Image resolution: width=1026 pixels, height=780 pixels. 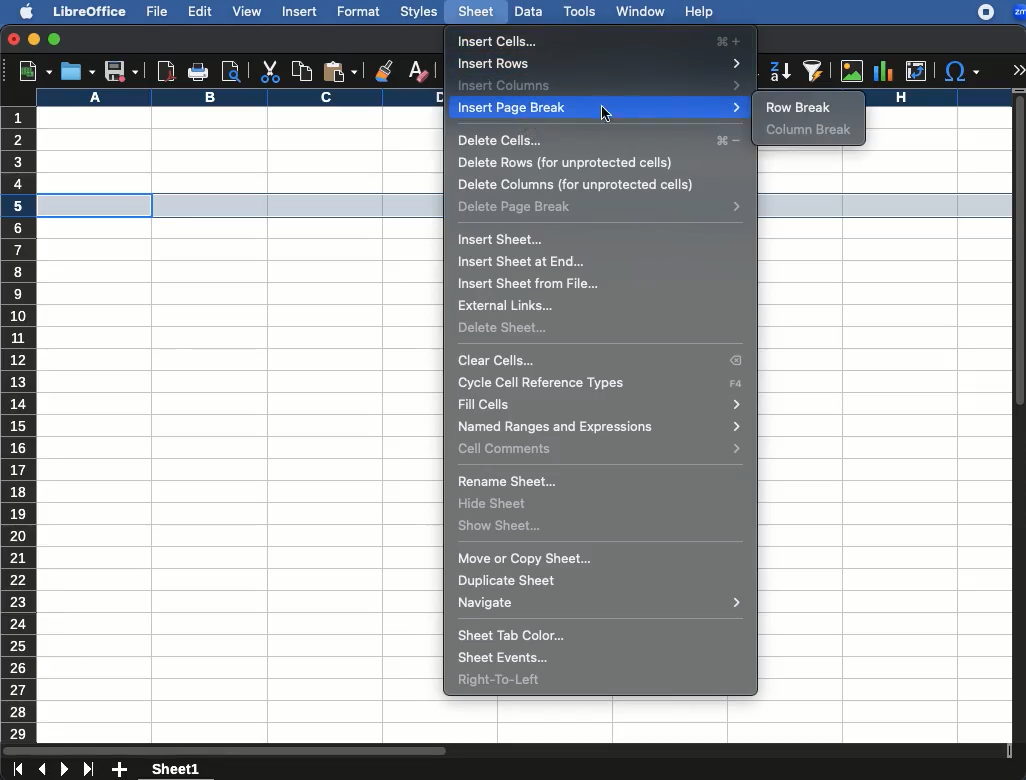 I want to click on clear formatting, so click(x=416, y=70).